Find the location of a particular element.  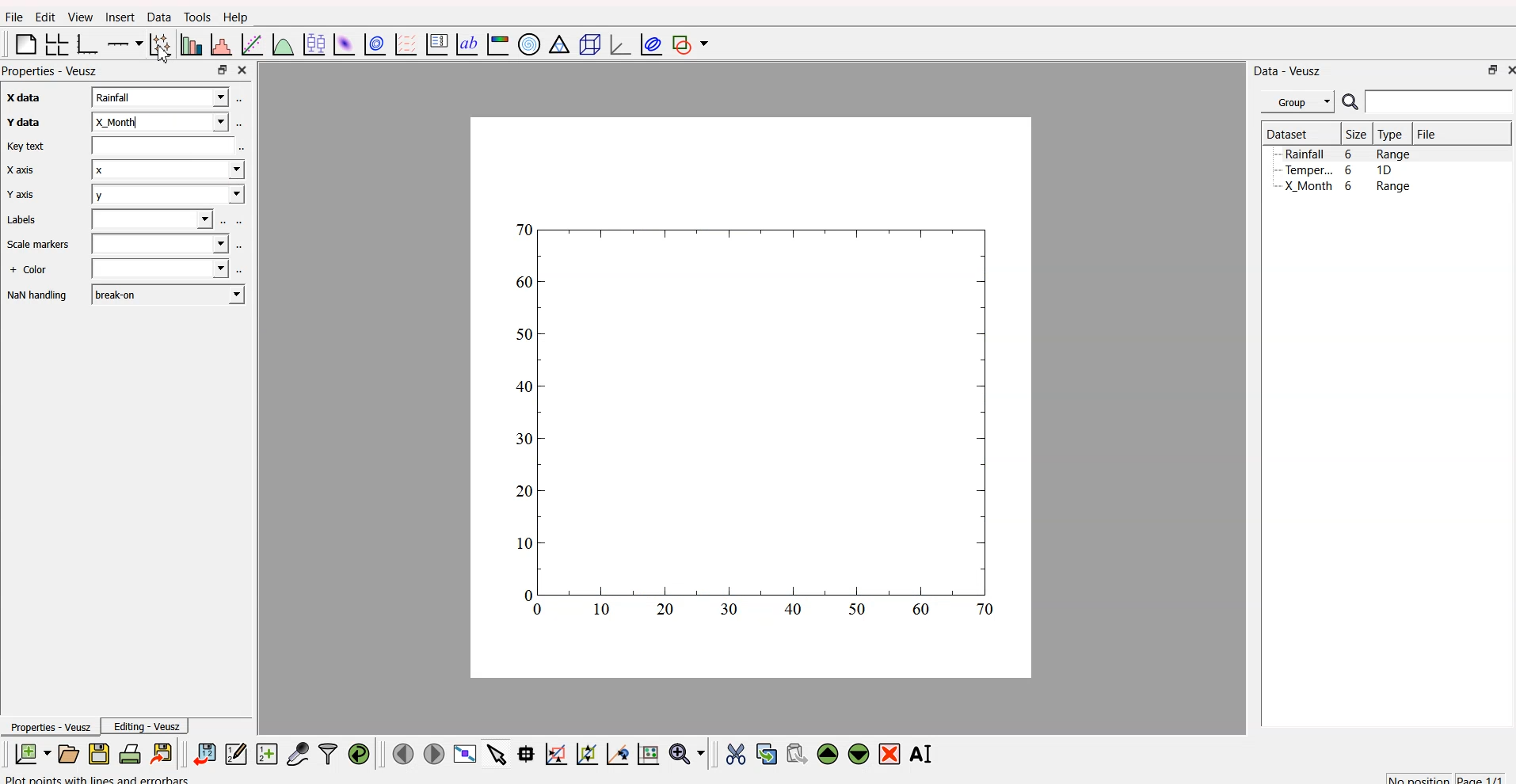

break-on is located at coordinates (168, 293).